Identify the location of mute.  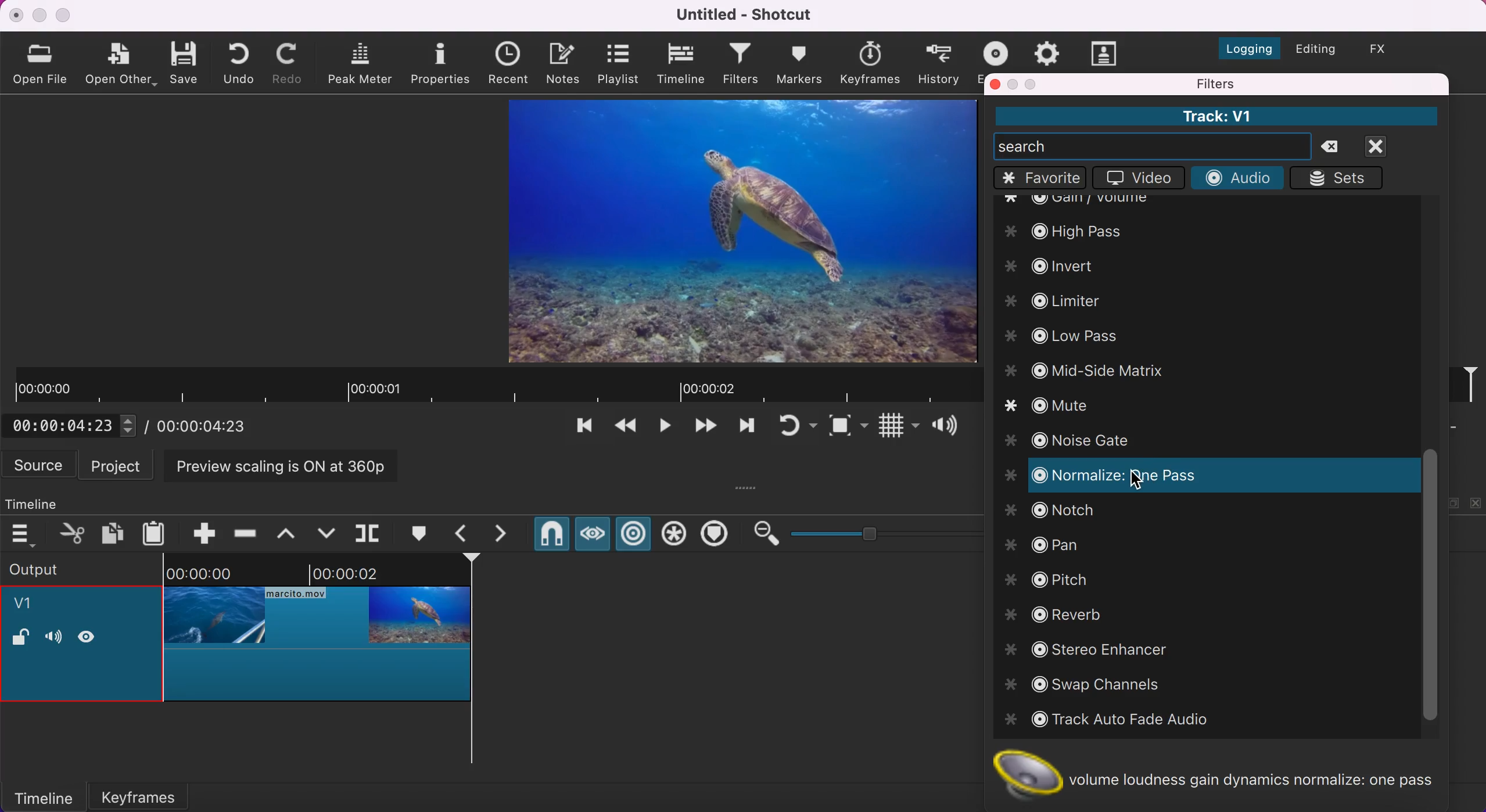
(1061, 408).